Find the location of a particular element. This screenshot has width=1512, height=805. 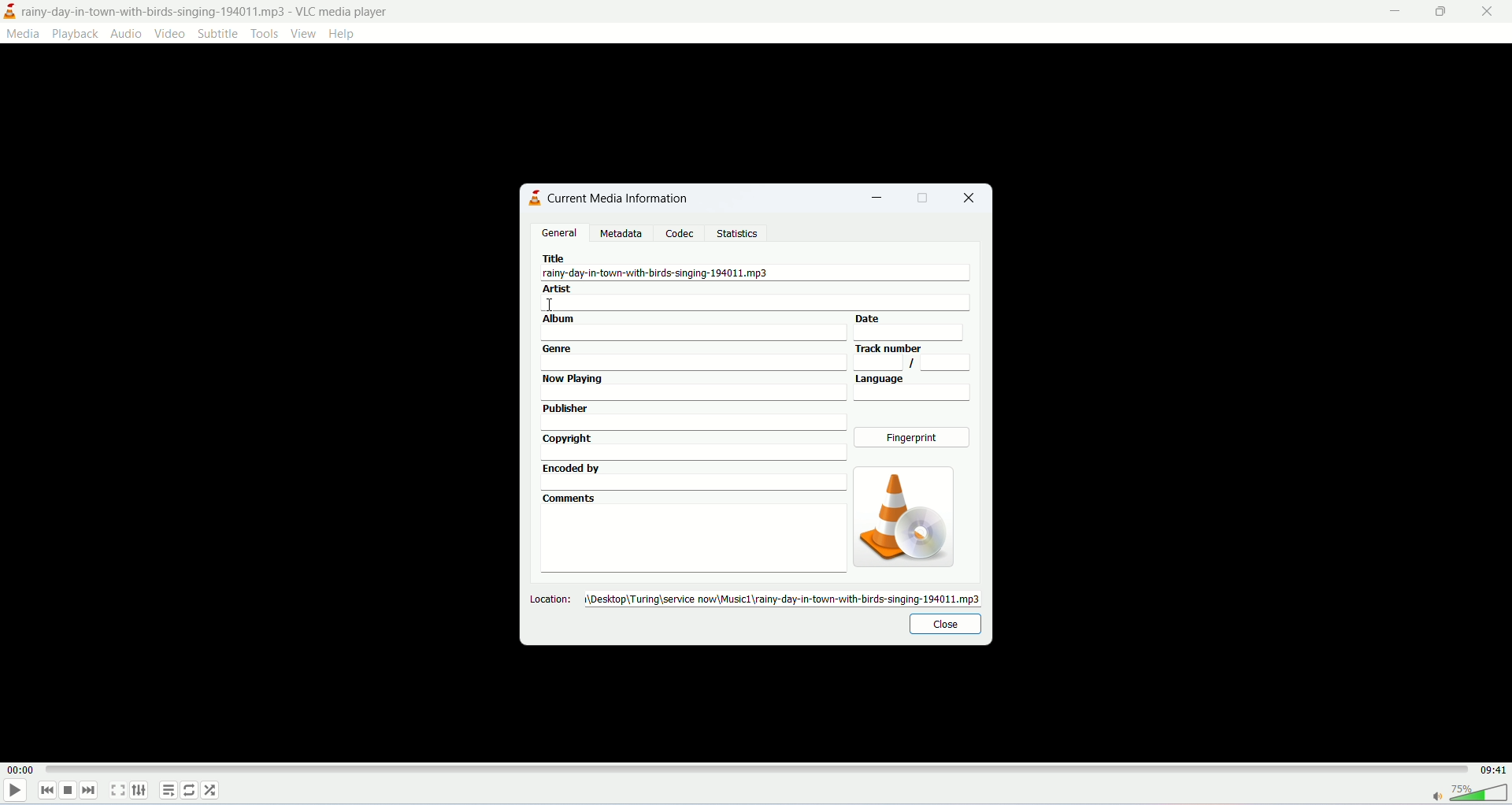

logo is located at coordinates (9, 11).